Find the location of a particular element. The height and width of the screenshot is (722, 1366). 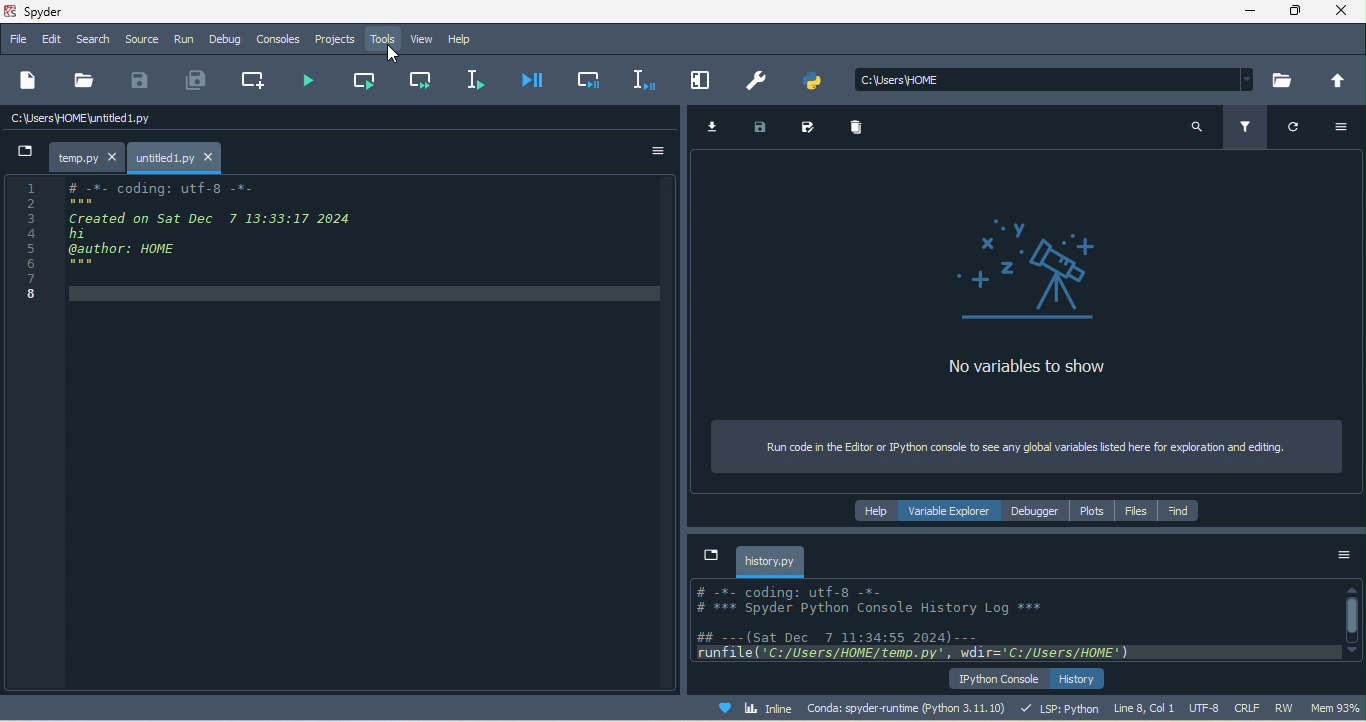

delete is located at coordinates (863, 129).